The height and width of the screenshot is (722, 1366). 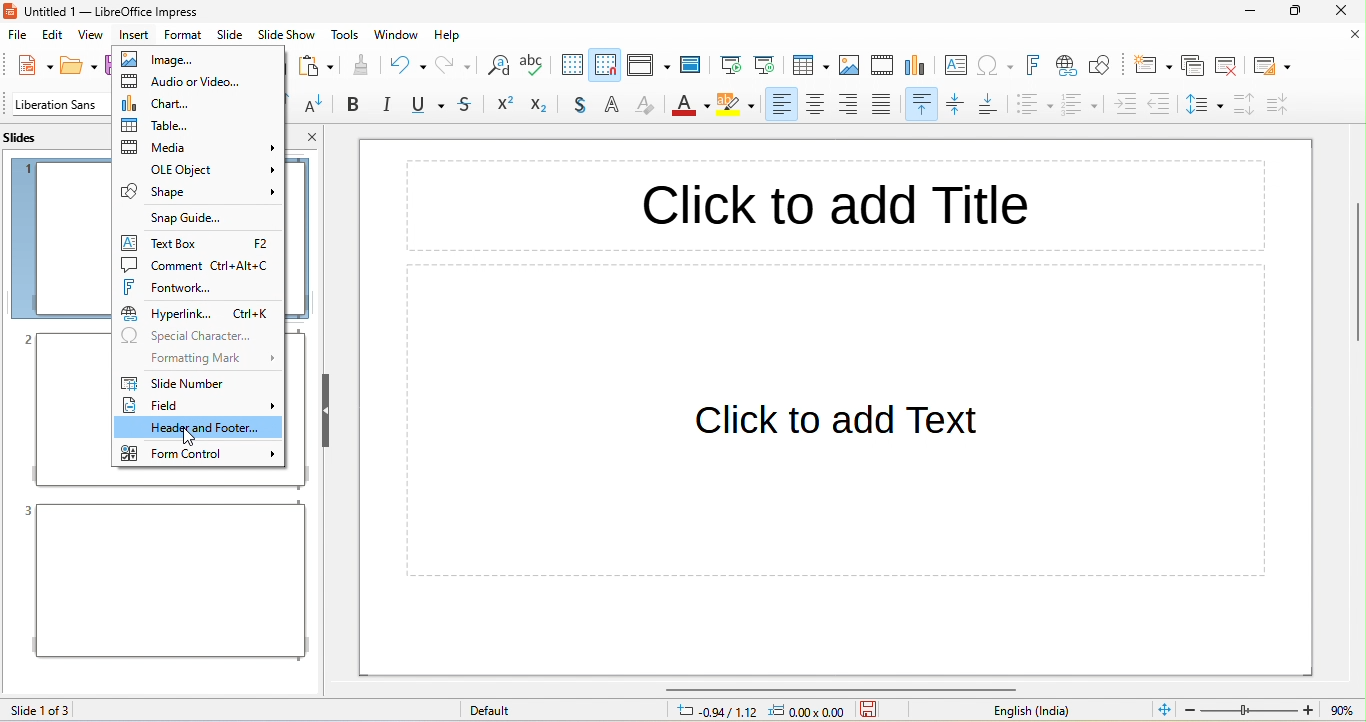 I want to click on cursor movement, so click(x=190, y=439).